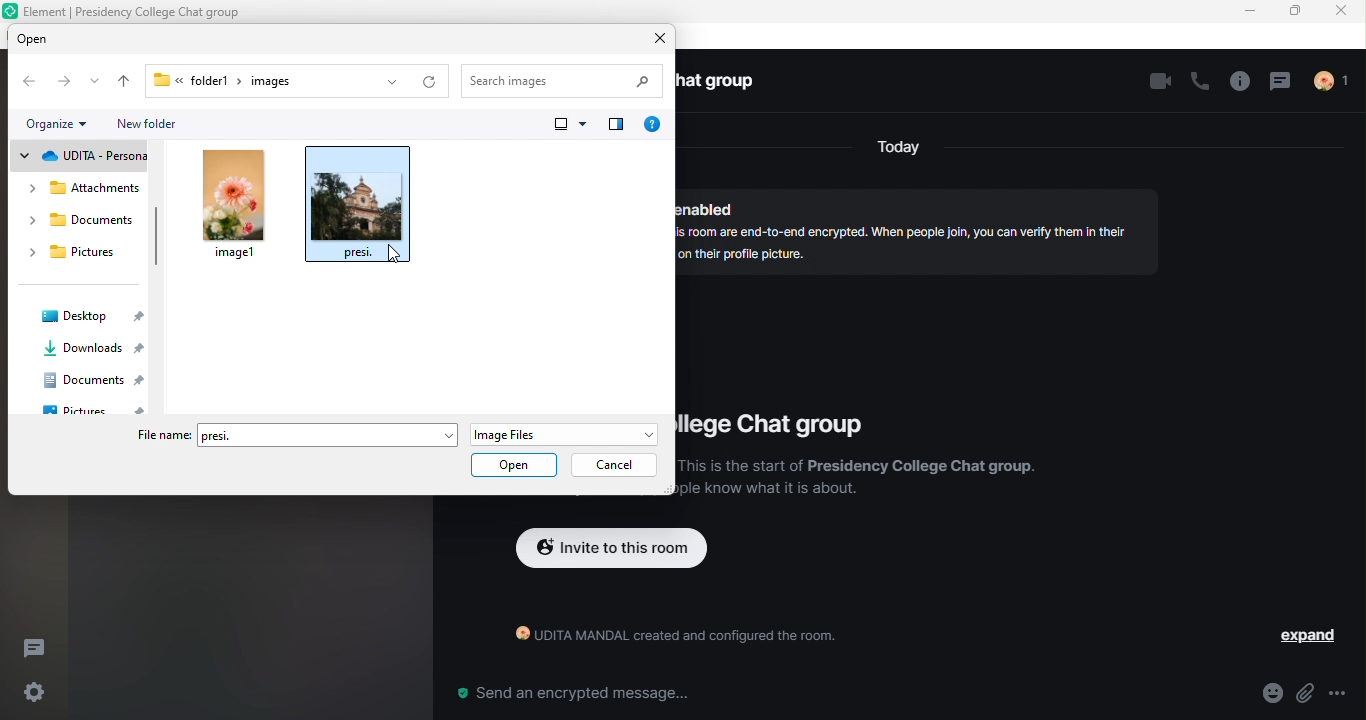  What do you see at coordinates (391, 252) in the screenshot?
I see `cursor movement` at bounding box center [391, 252].